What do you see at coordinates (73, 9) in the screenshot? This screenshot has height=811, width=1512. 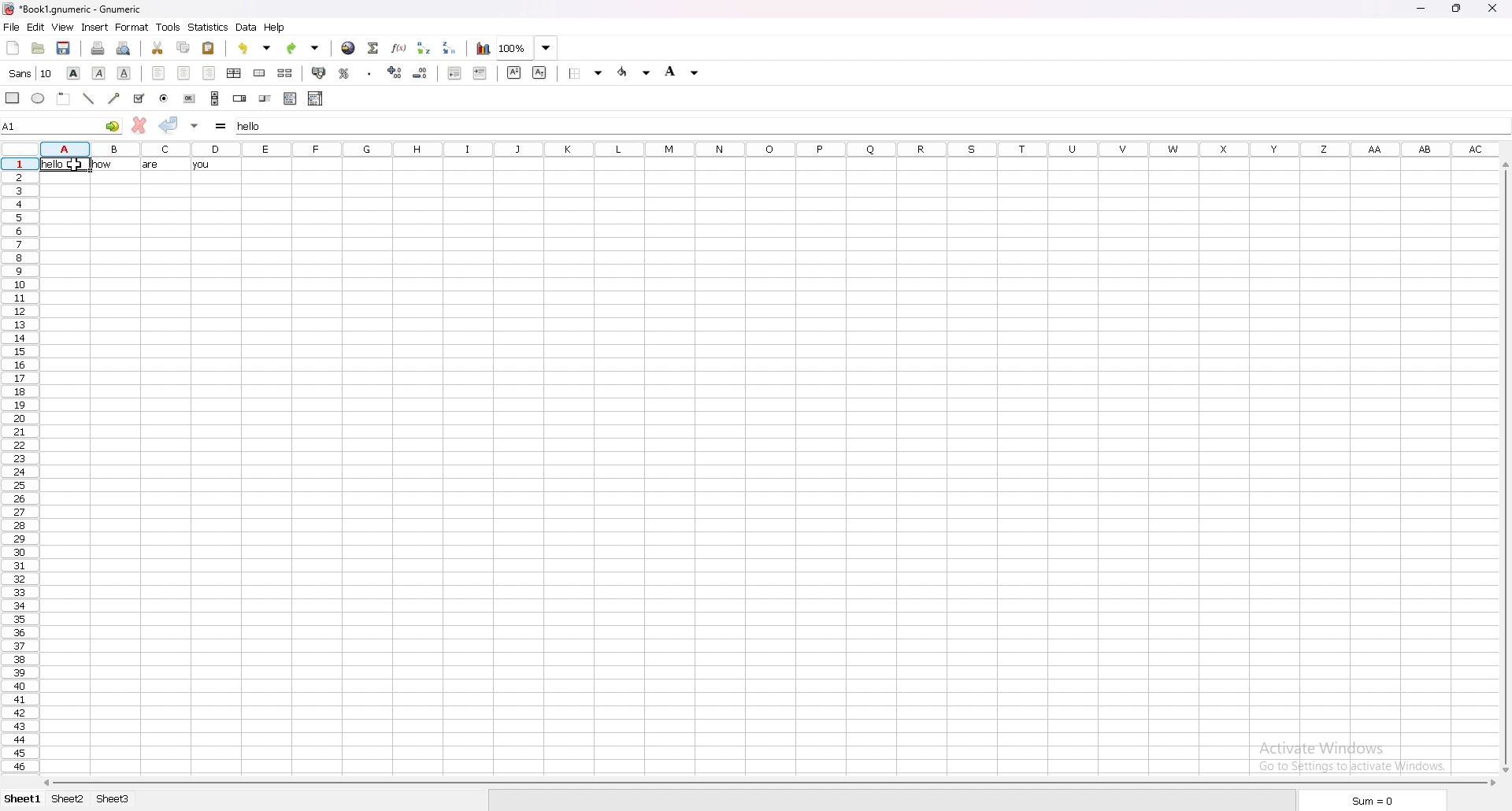 I see `file name` at bounding box center [73, 9].